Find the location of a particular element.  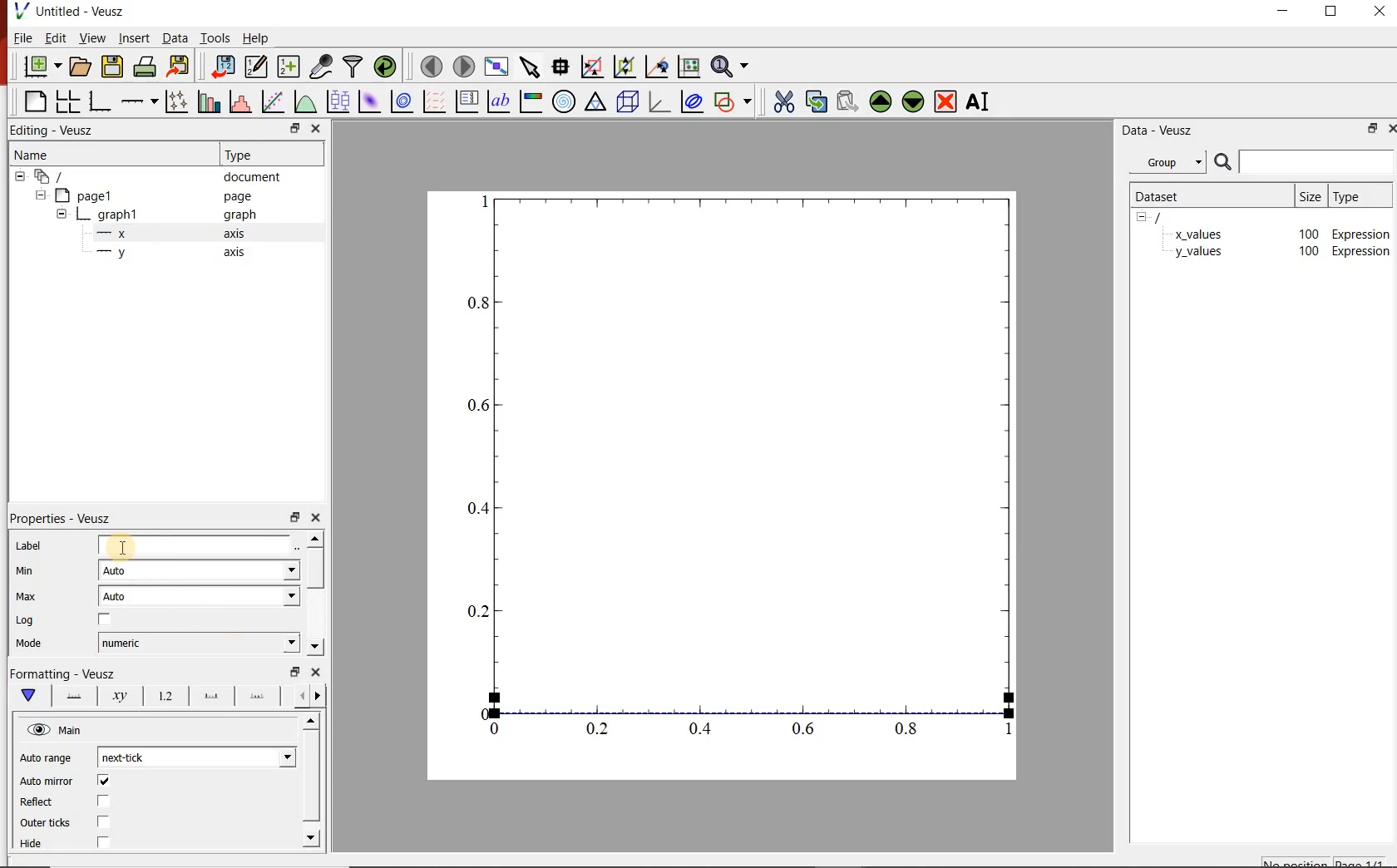

ternary graph is located at coordinates (597, 104).